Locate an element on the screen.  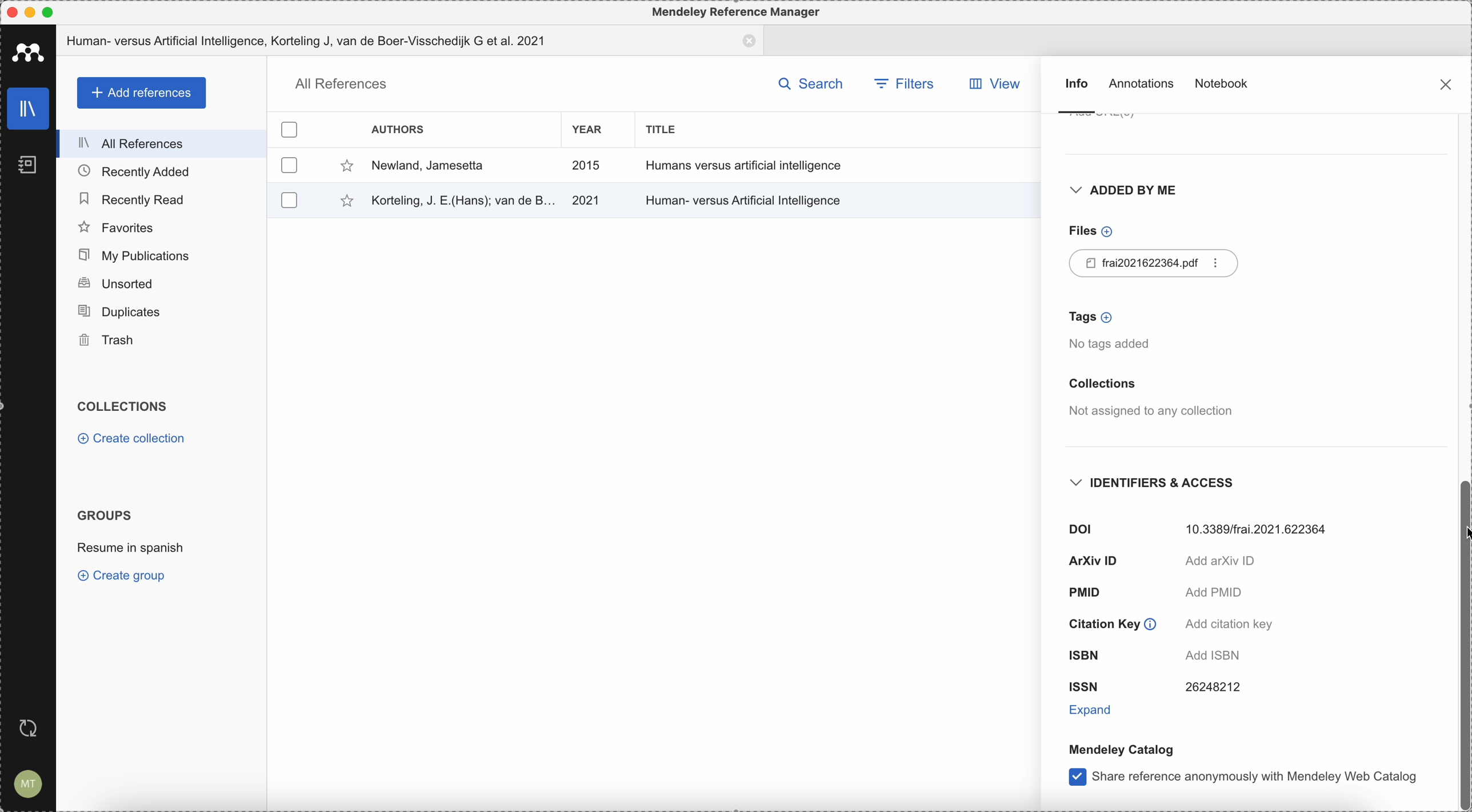
library is located at coordinates (24, 109).